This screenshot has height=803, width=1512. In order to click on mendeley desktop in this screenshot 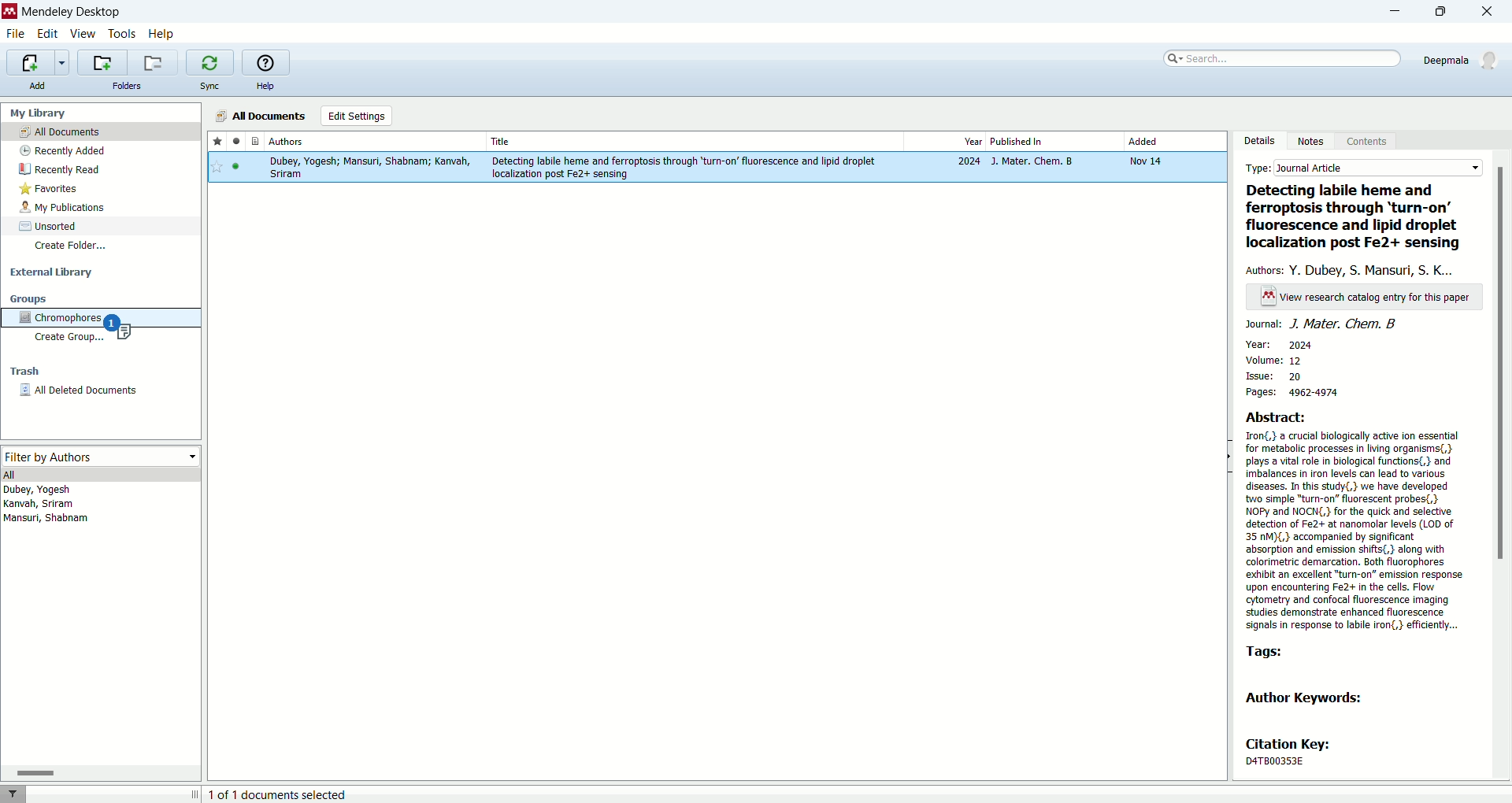, I will do `click(70, 12)`.